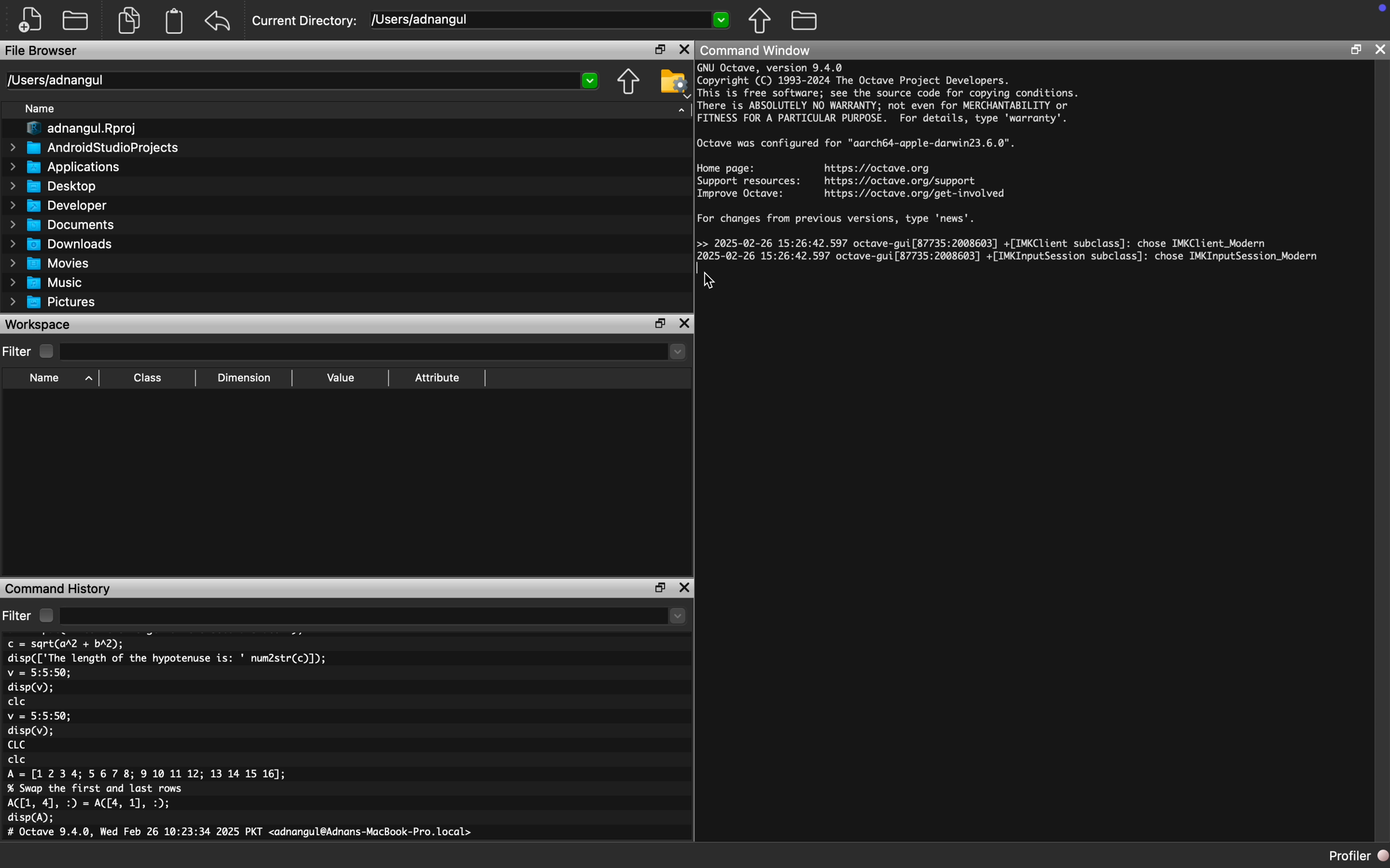  Describe the element at coordinates (59, 588) in the screenshot. I see `Command History` at that location.